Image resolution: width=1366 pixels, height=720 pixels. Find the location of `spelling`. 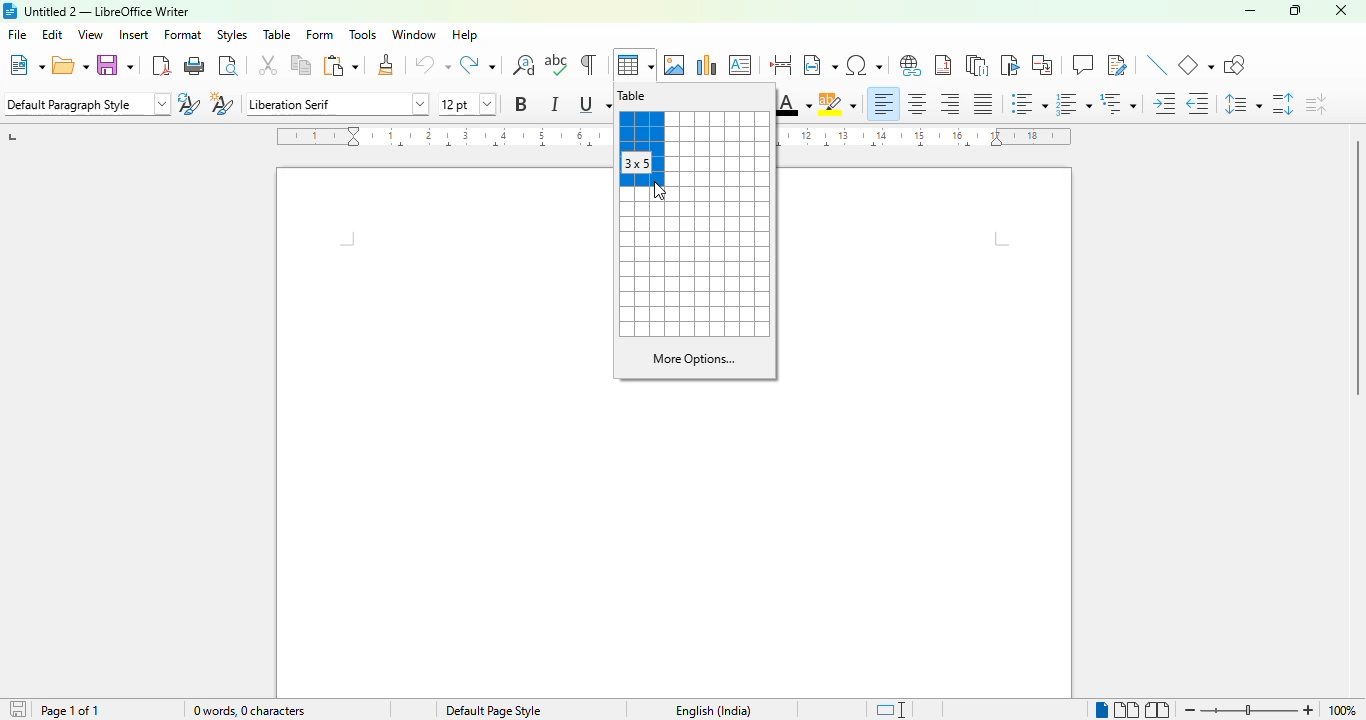

spelling is located at coordinates (557, 64).